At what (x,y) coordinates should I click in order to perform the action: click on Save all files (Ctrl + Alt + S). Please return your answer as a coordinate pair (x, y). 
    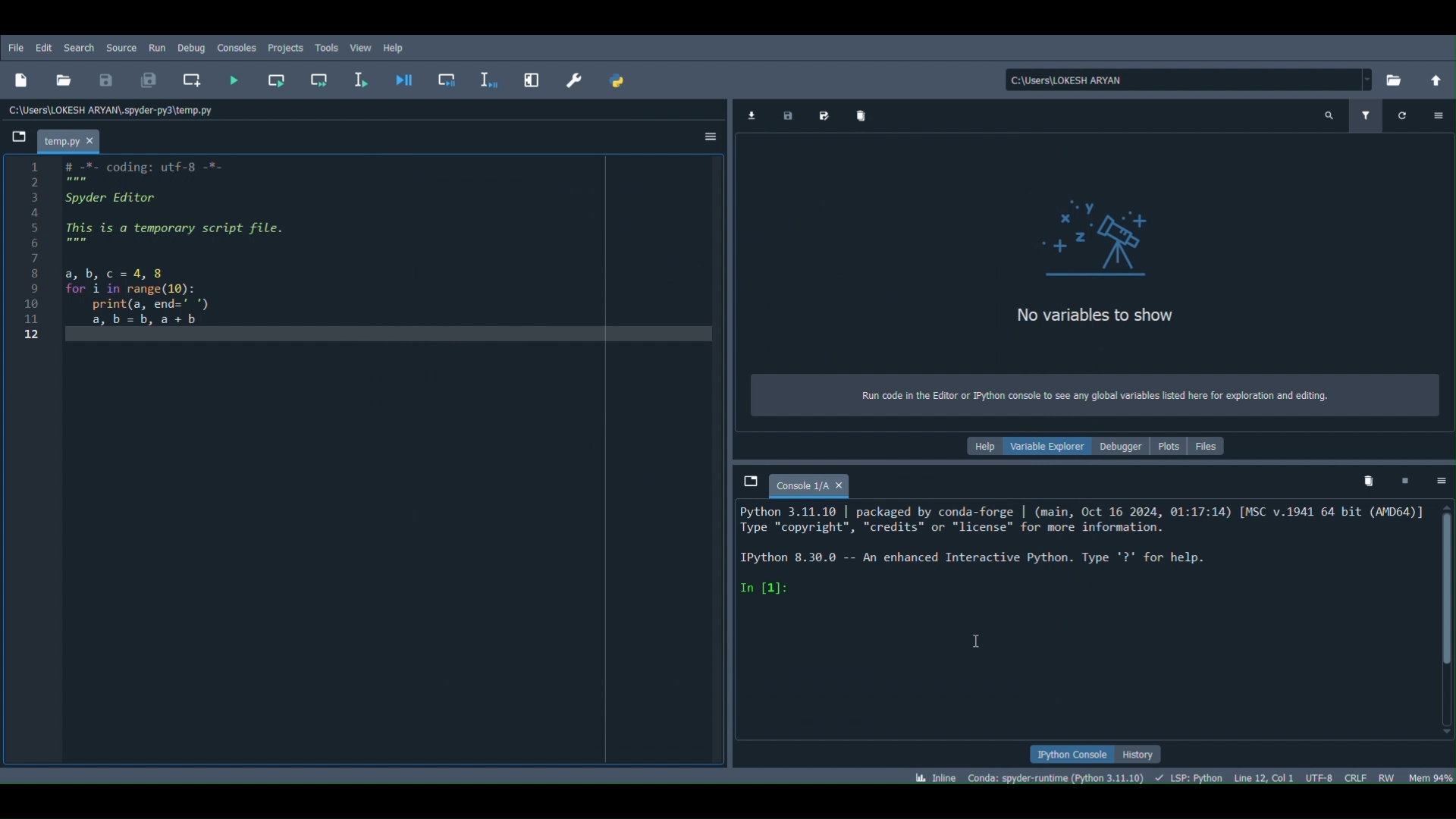
    Looking at the image, I should click on (149, 77).